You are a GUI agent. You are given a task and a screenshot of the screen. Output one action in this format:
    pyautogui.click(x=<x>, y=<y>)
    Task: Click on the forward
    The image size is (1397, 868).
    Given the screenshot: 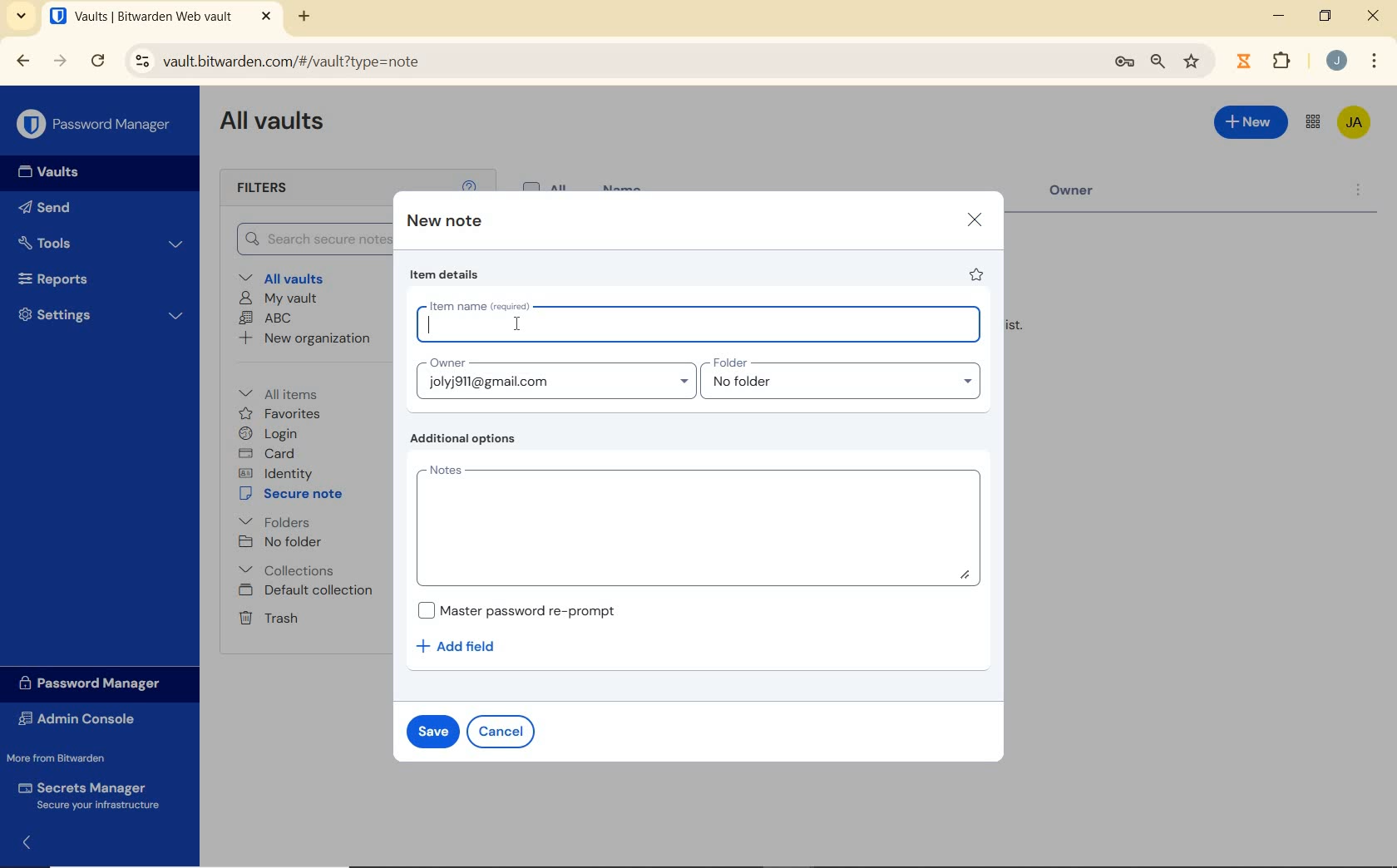 What is the action you would take?
    pyautogui.click(x=60, y=61)
    